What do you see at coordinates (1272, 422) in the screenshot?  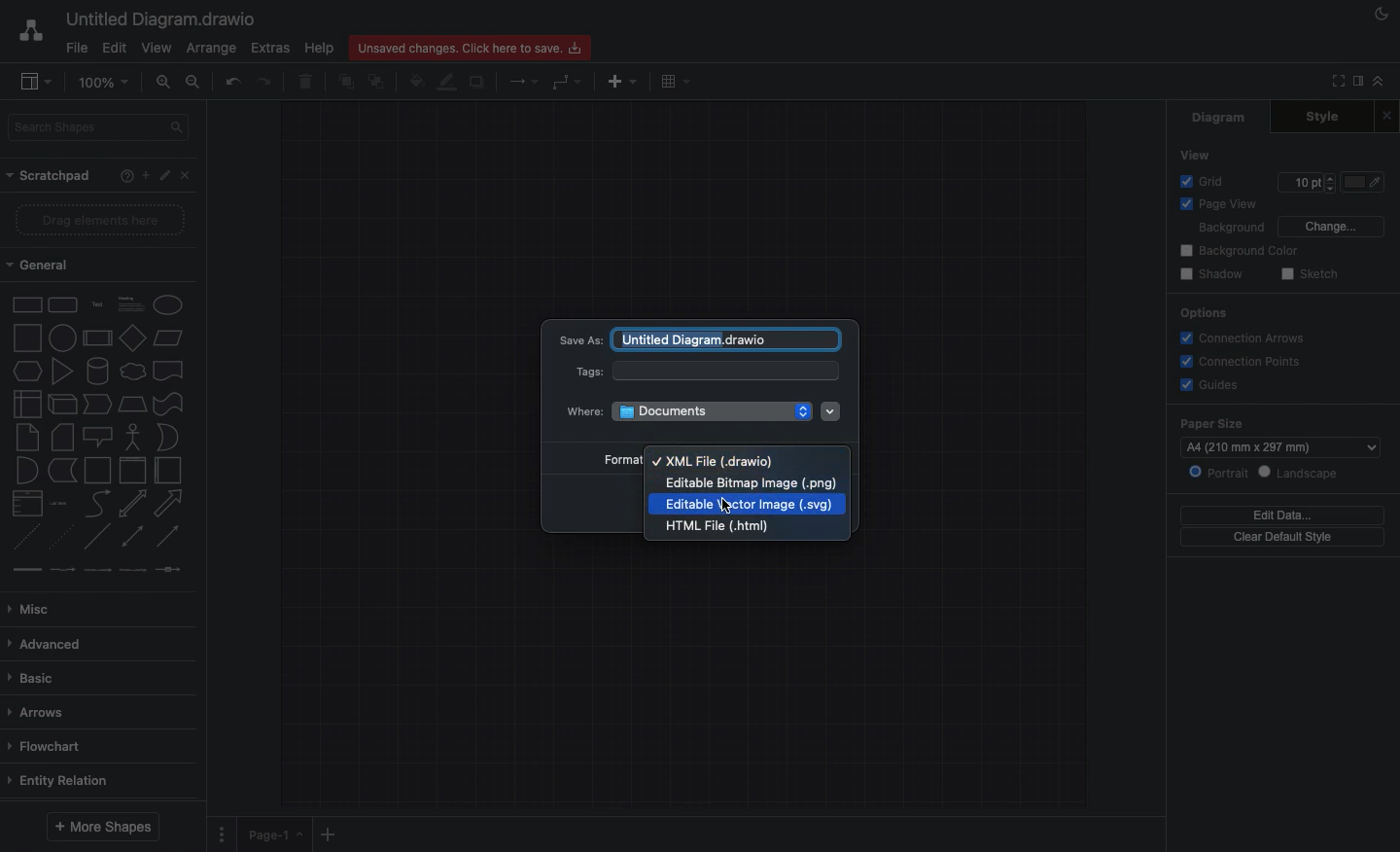 I see `Paper size` at bounding box center [1272, 422].